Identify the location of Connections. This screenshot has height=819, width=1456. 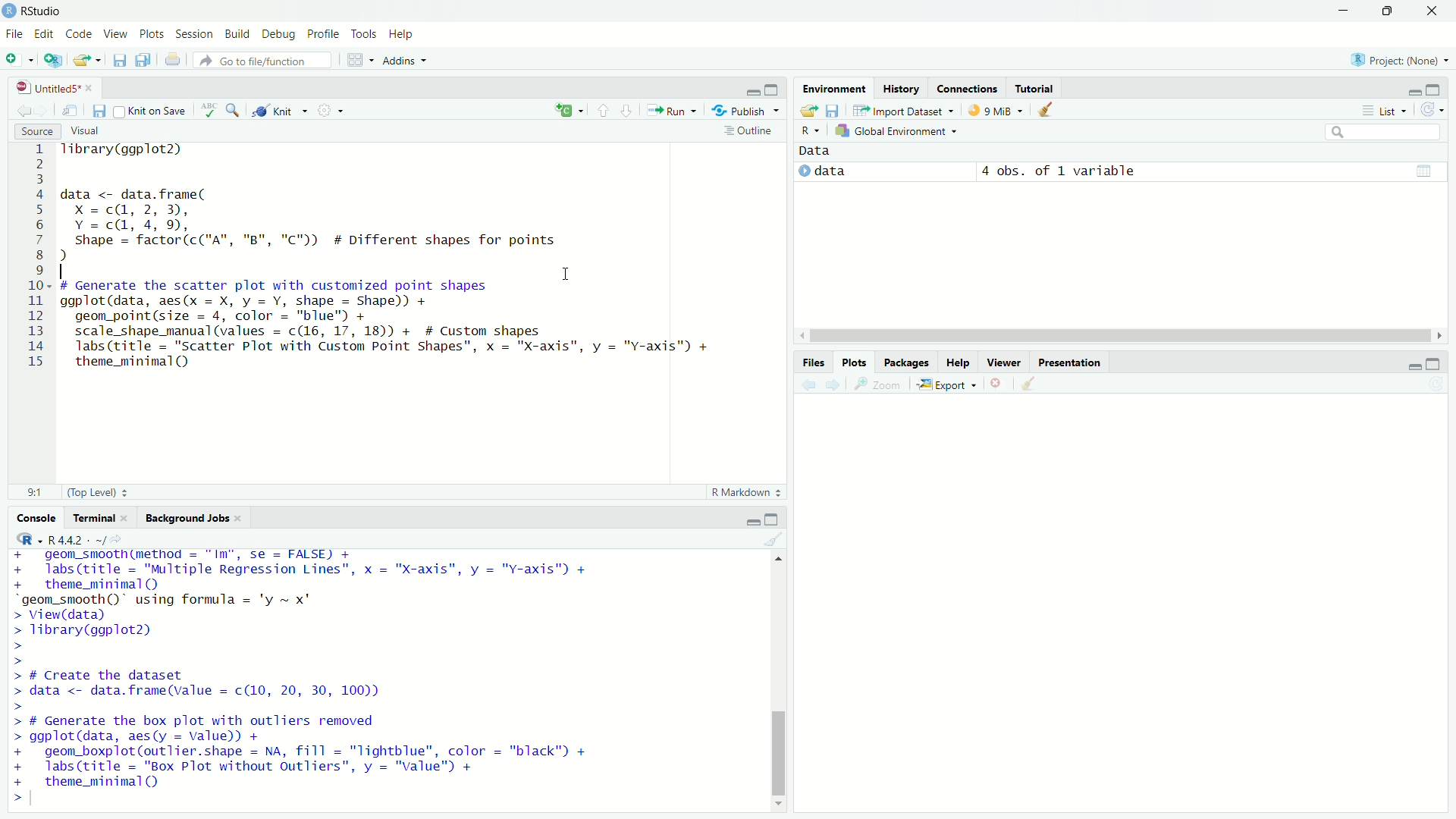
(966, 87).